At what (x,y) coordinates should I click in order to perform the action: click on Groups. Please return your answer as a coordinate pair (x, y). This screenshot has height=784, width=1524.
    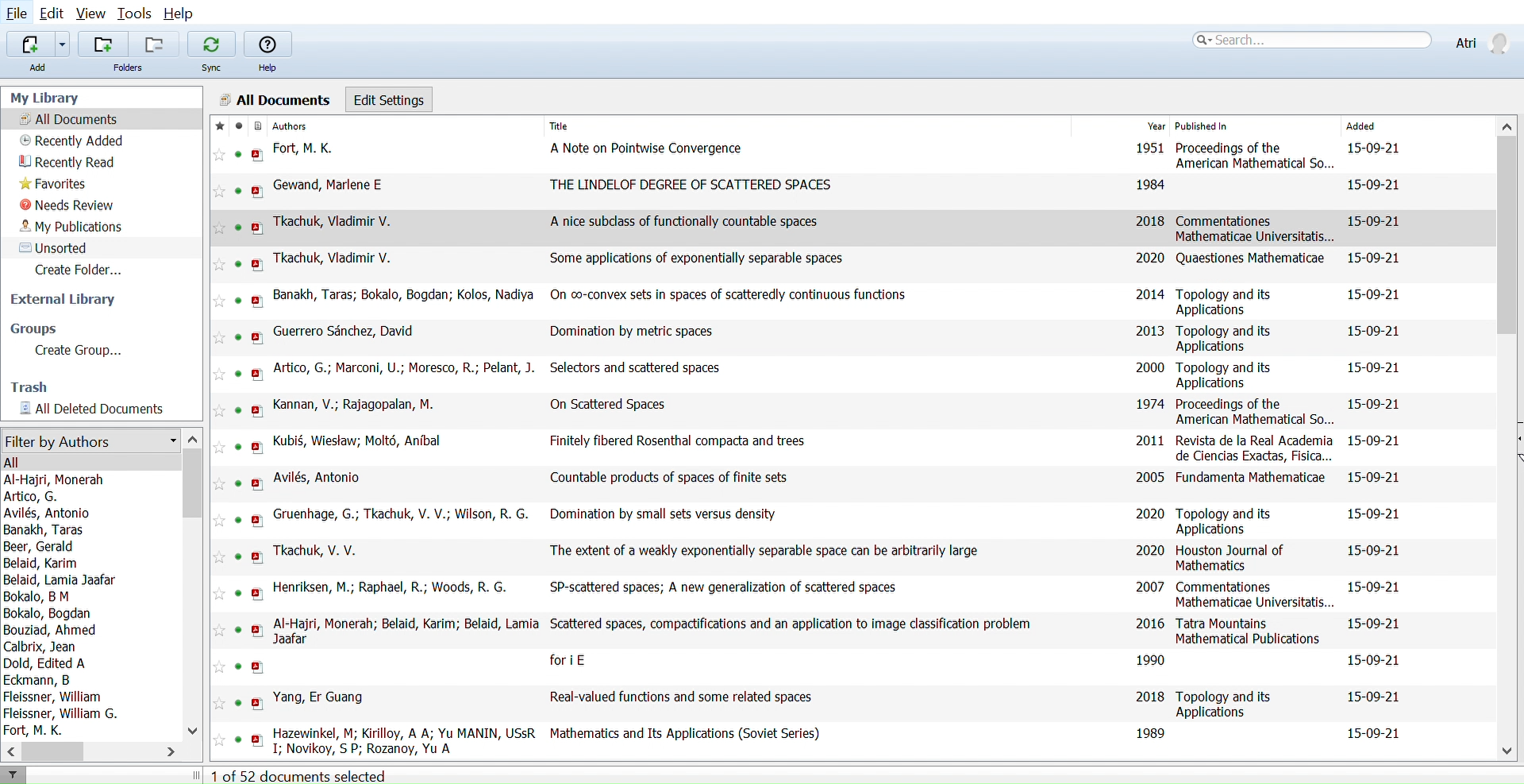
    Looking at the image, I should click on (33, 329).